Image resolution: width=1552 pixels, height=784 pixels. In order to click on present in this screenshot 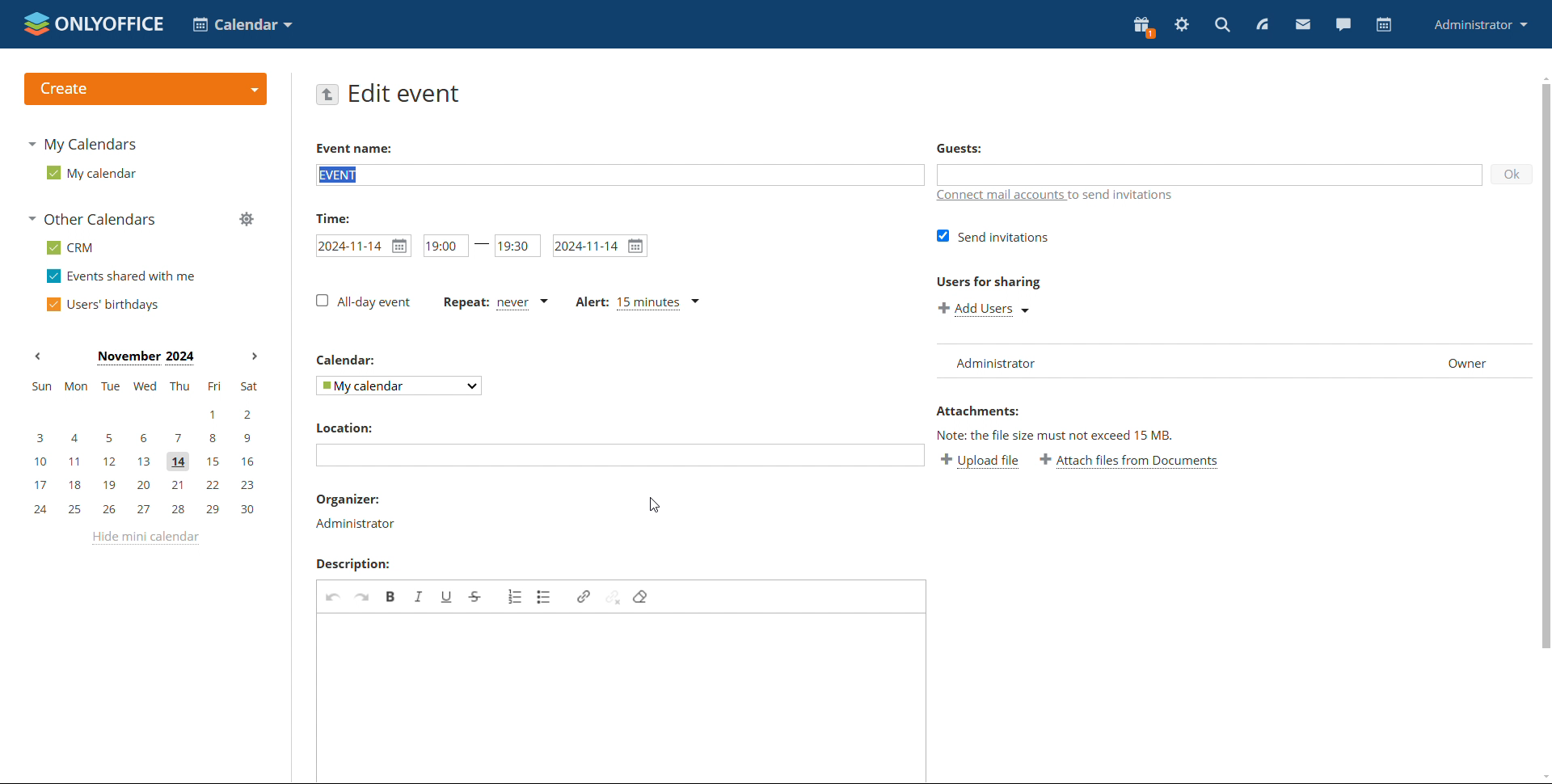, I will do `click(1142, 27)`.